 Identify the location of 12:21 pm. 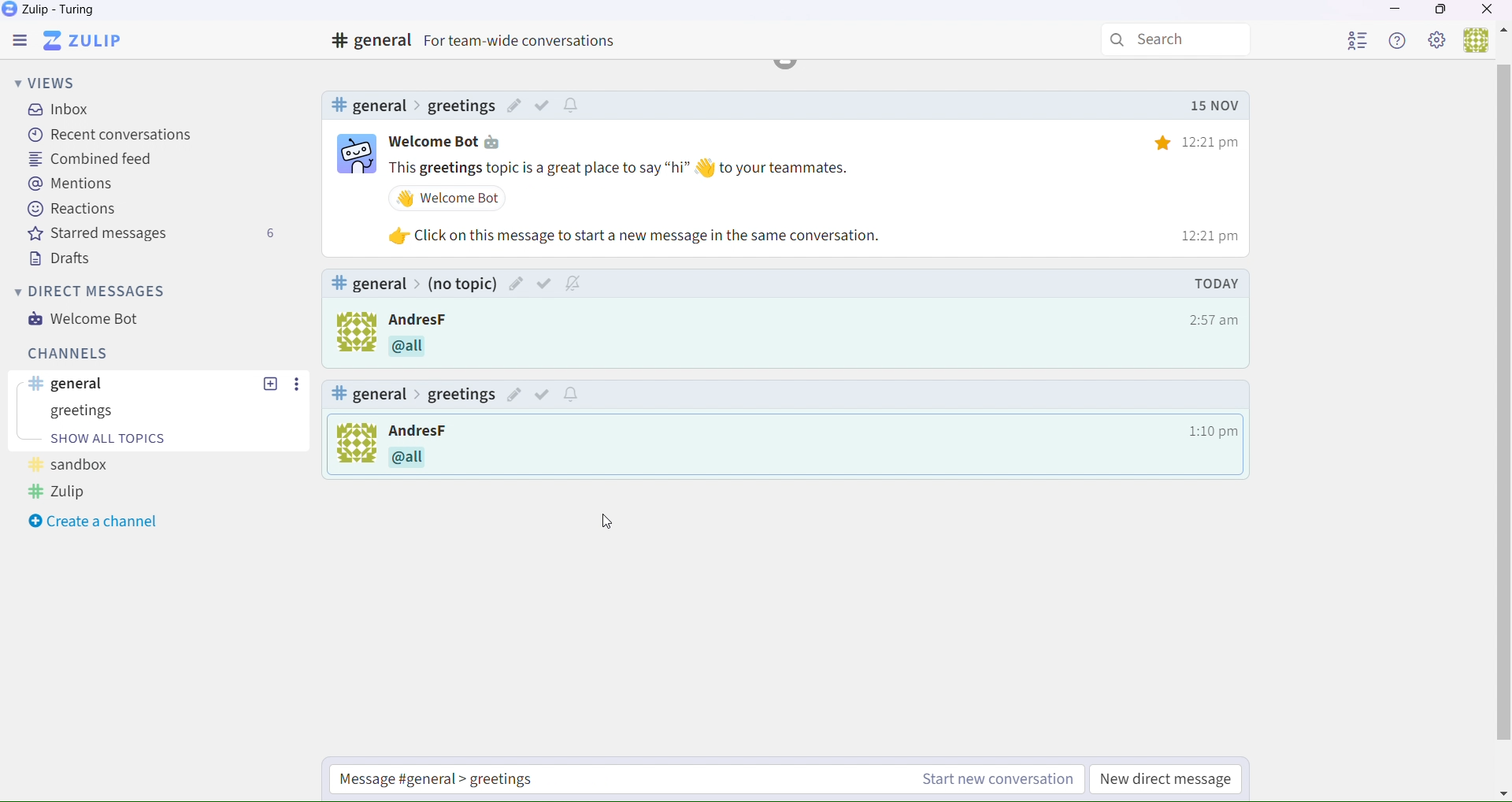
(1214, 319).